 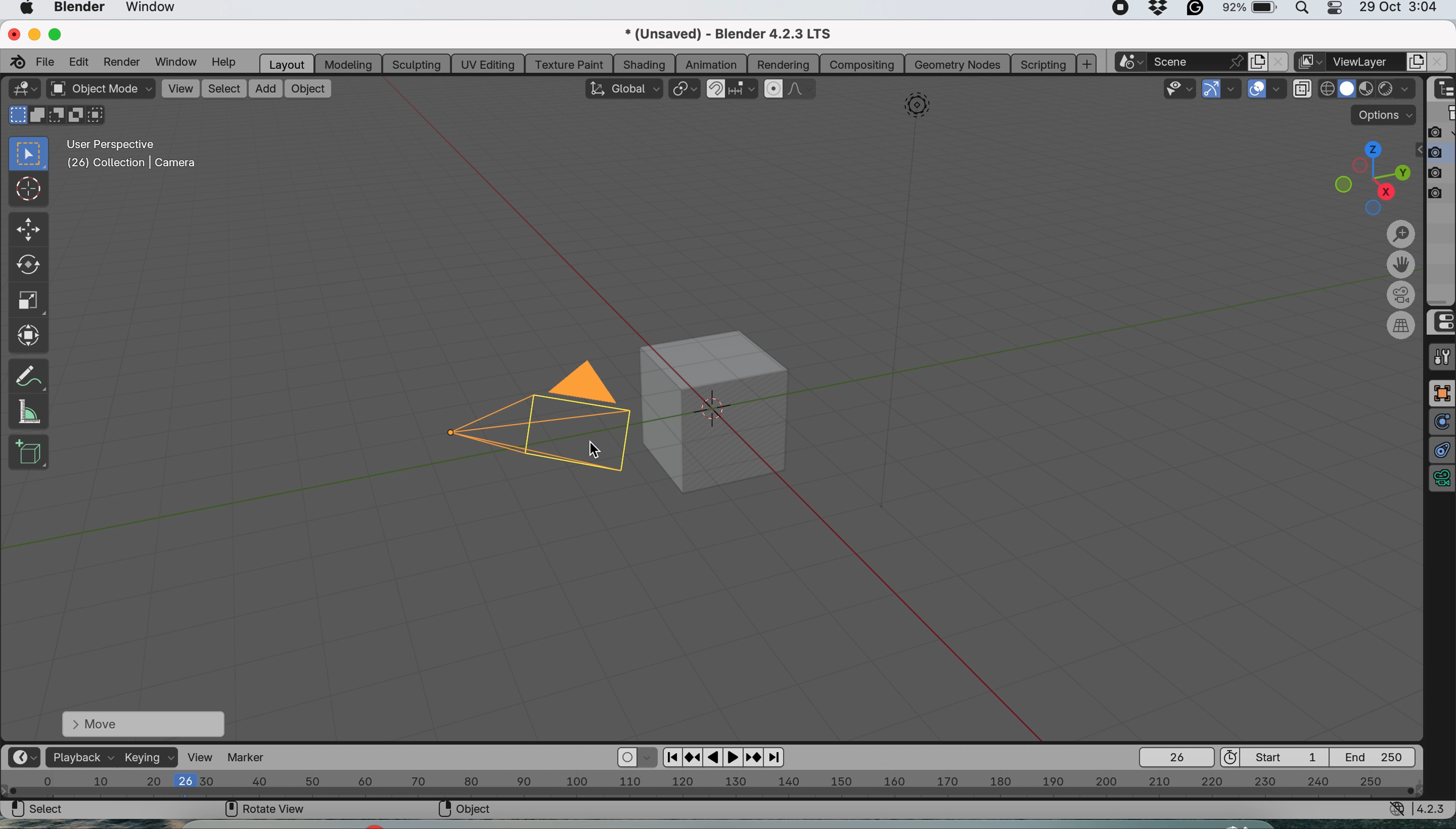 What do you see at coordinates (957, 64) in the screenshot?
I see `geometry nodes` at bounding box center [957, 64].